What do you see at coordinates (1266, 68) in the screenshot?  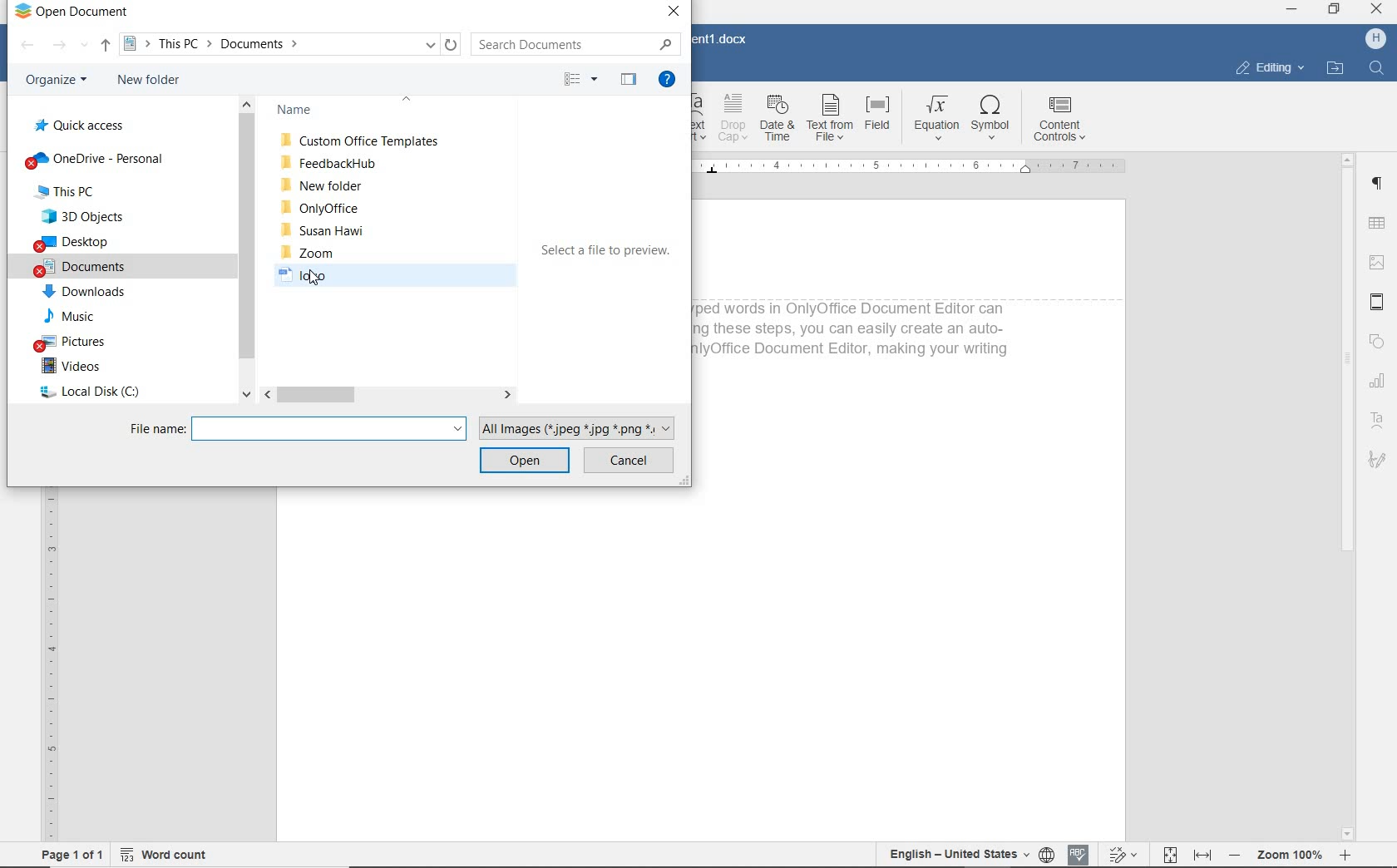 I see `Editing` at bounding box center [1266, 68].